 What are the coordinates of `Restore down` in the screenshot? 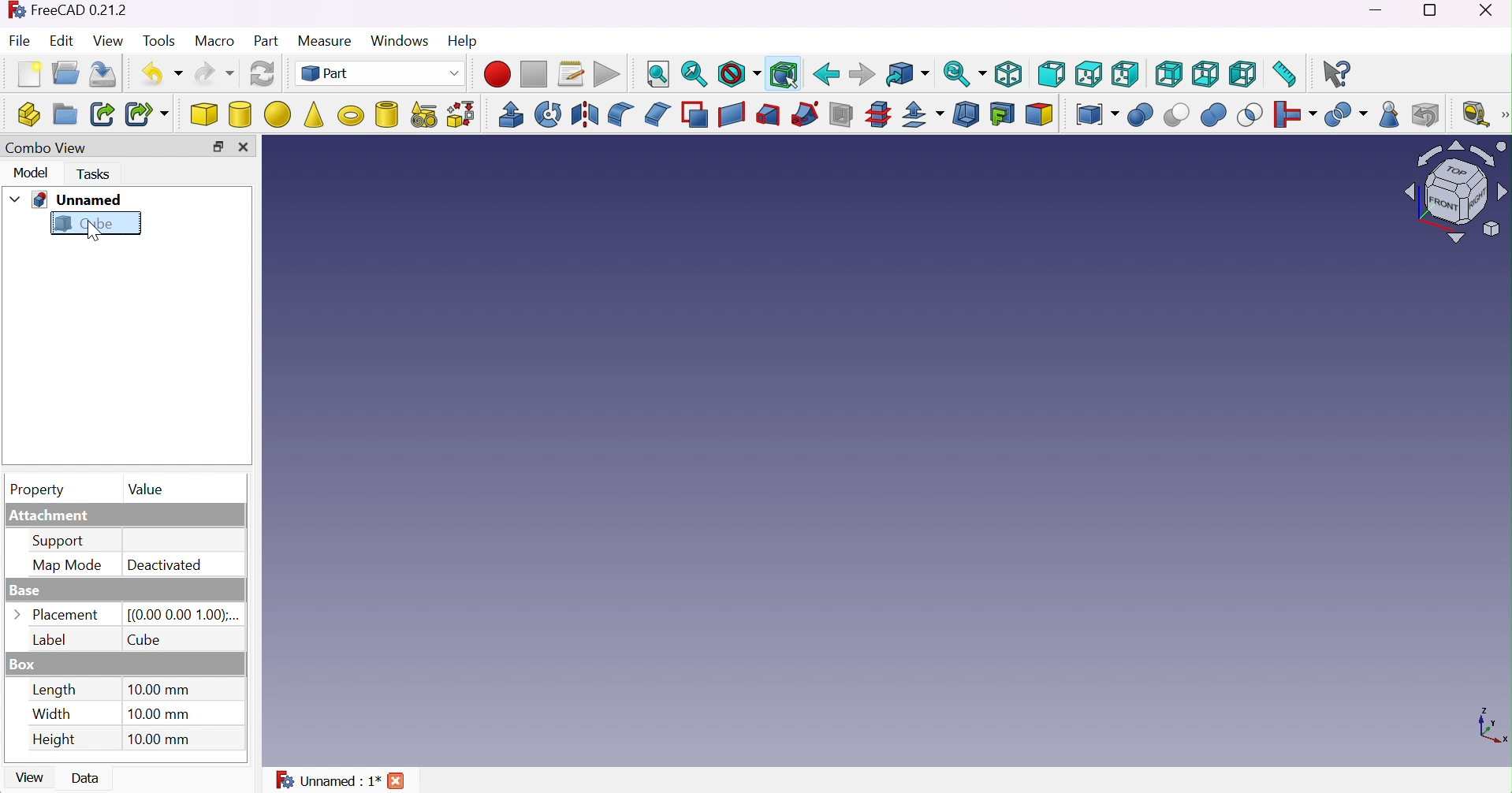 It's located at (1435, 11).